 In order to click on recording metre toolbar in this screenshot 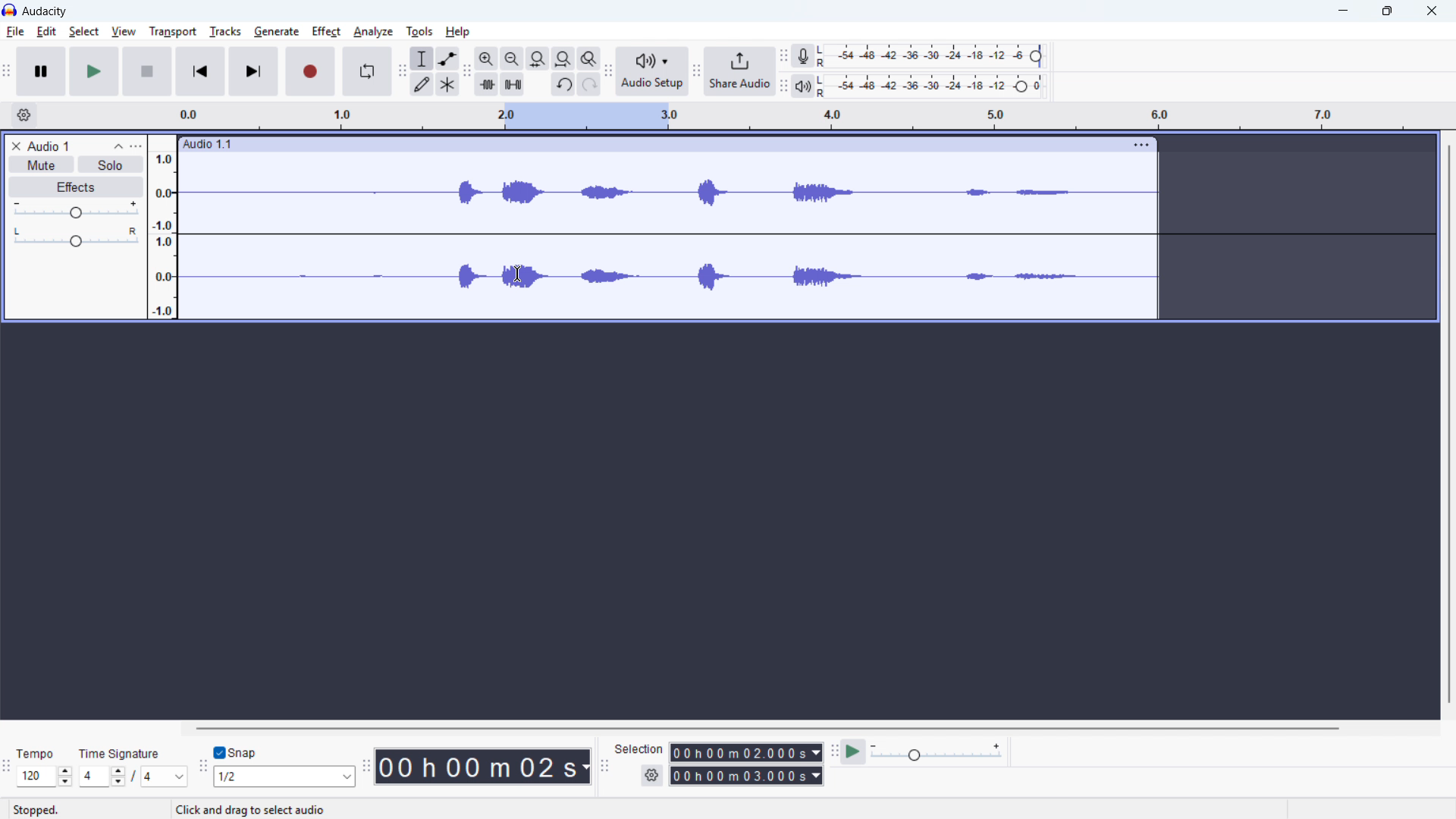, I will do `click(785, 55)`.